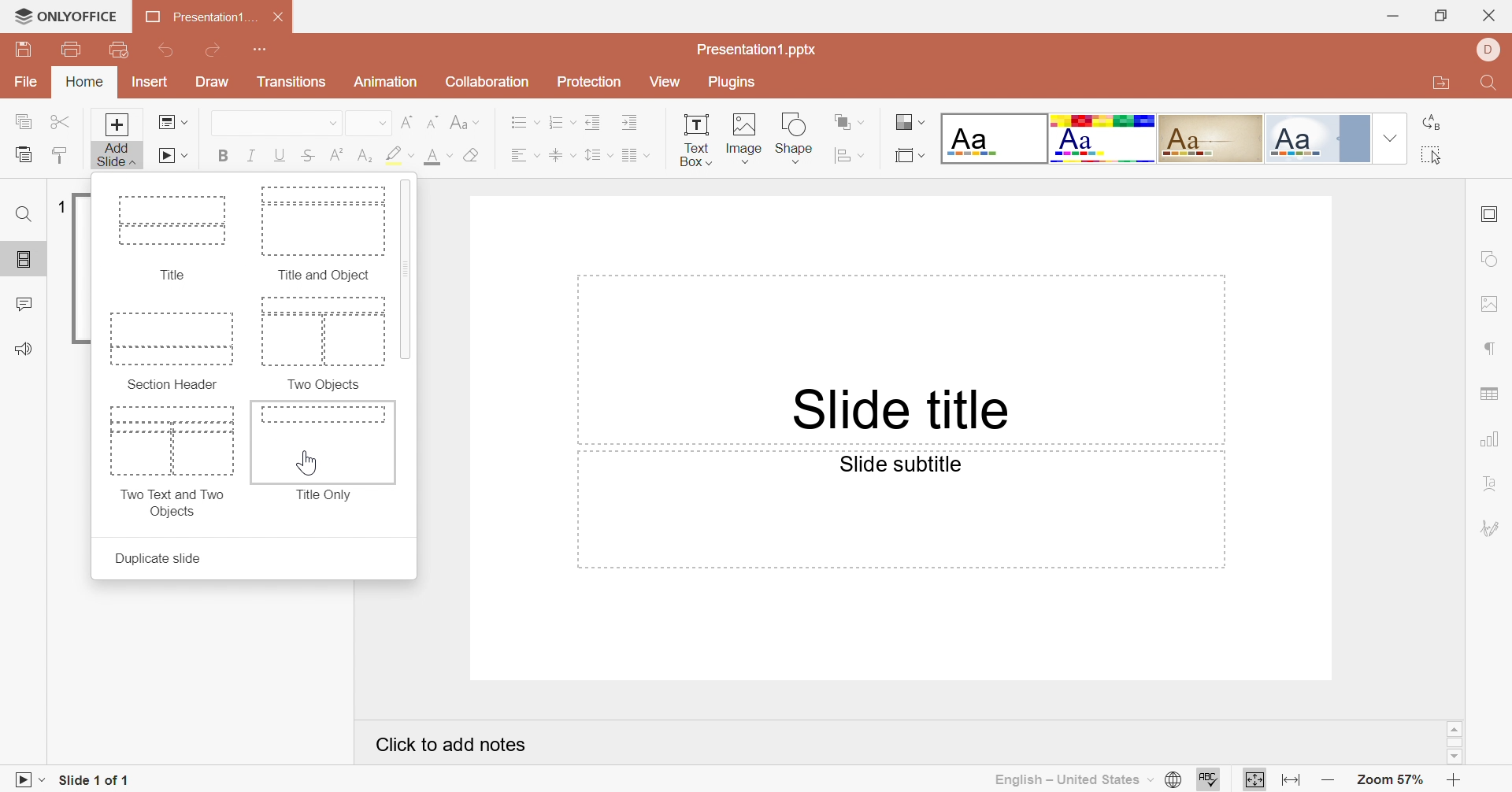 This screenshot has width=1512, height=792. What do you see at coordinates (1212, 780) in the screenshot?
I see `Spell Checking` at bounding box center [1212, 780].